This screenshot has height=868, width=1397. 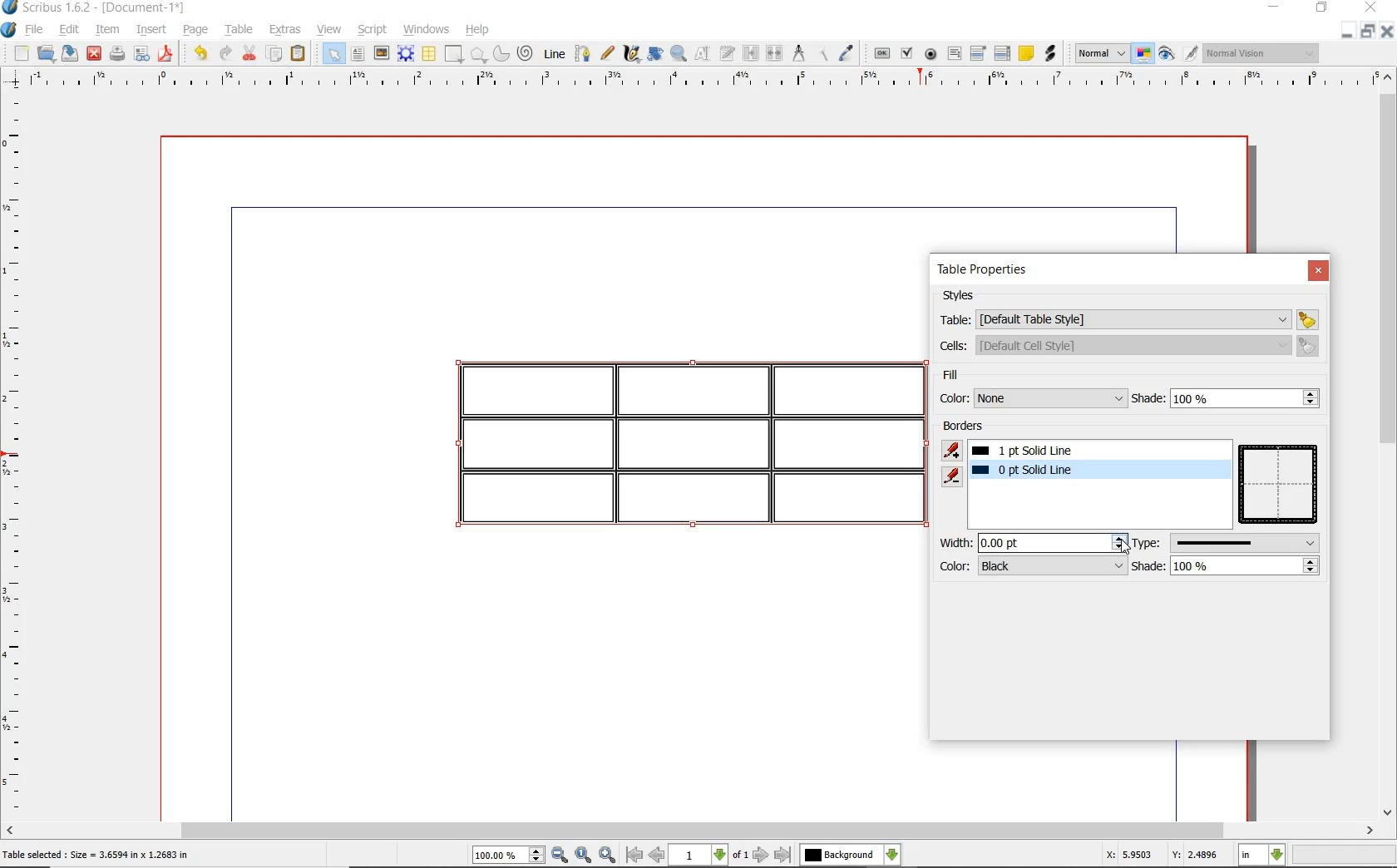 What do you see at coordinates (727, 53) in the screenshot?
I see `edit text with story editor` at bounding box center [727, 53].